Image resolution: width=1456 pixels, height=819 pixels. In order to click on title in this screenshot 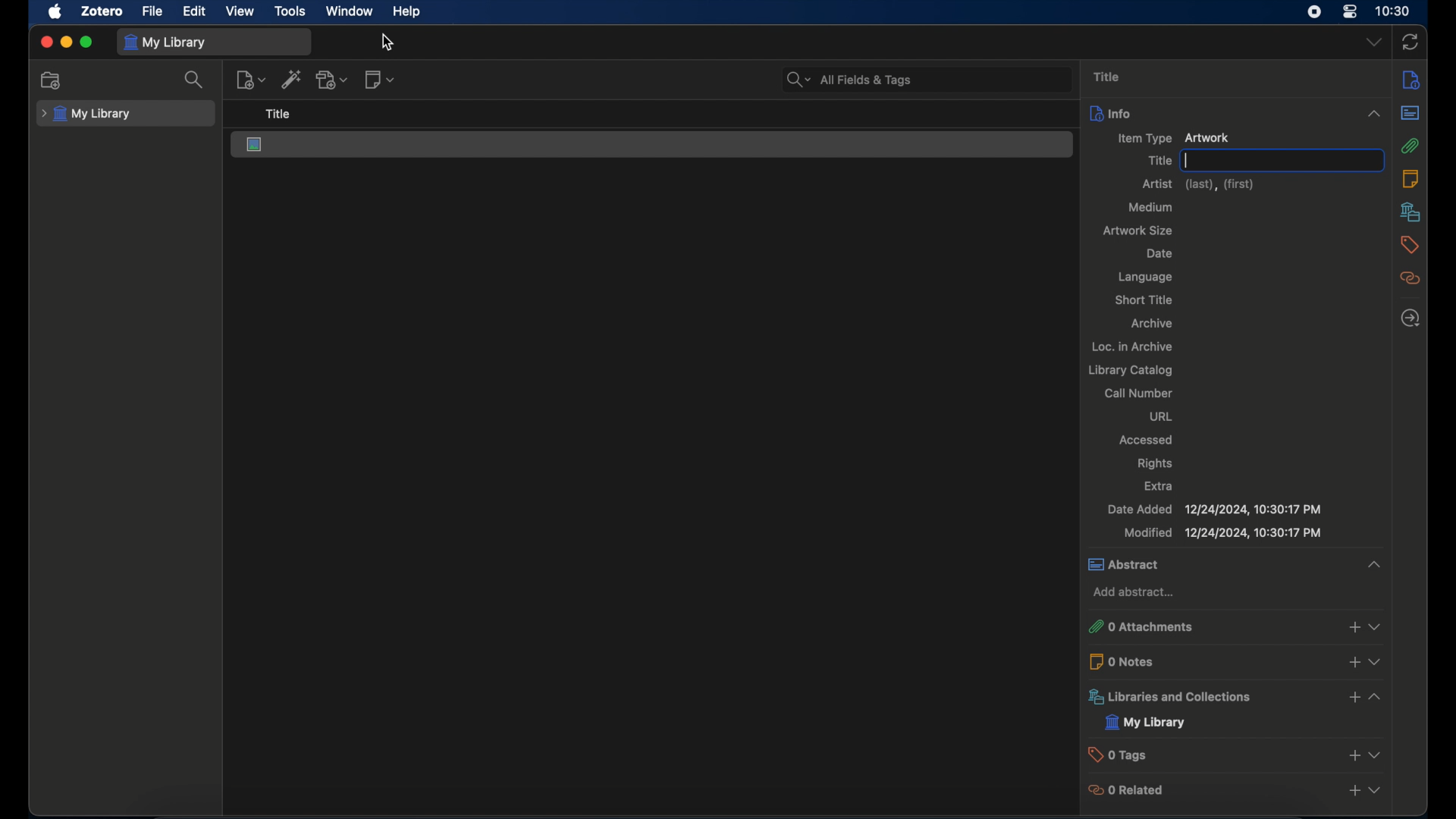, I will do `click(1109, 77)`.